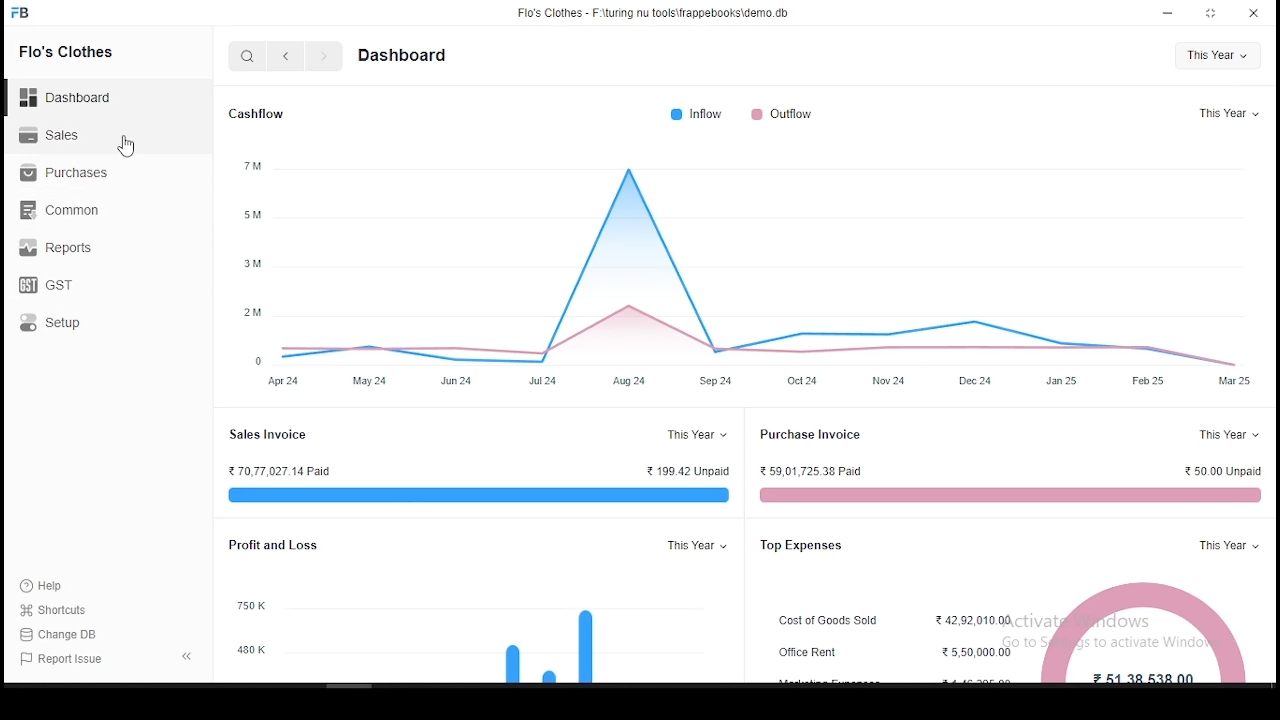 This screenshot has height=720, width=1280. What do you see at coordinates (1221, 544) in the screenshot?
I see `this year` at bounding box center [1221, 544].